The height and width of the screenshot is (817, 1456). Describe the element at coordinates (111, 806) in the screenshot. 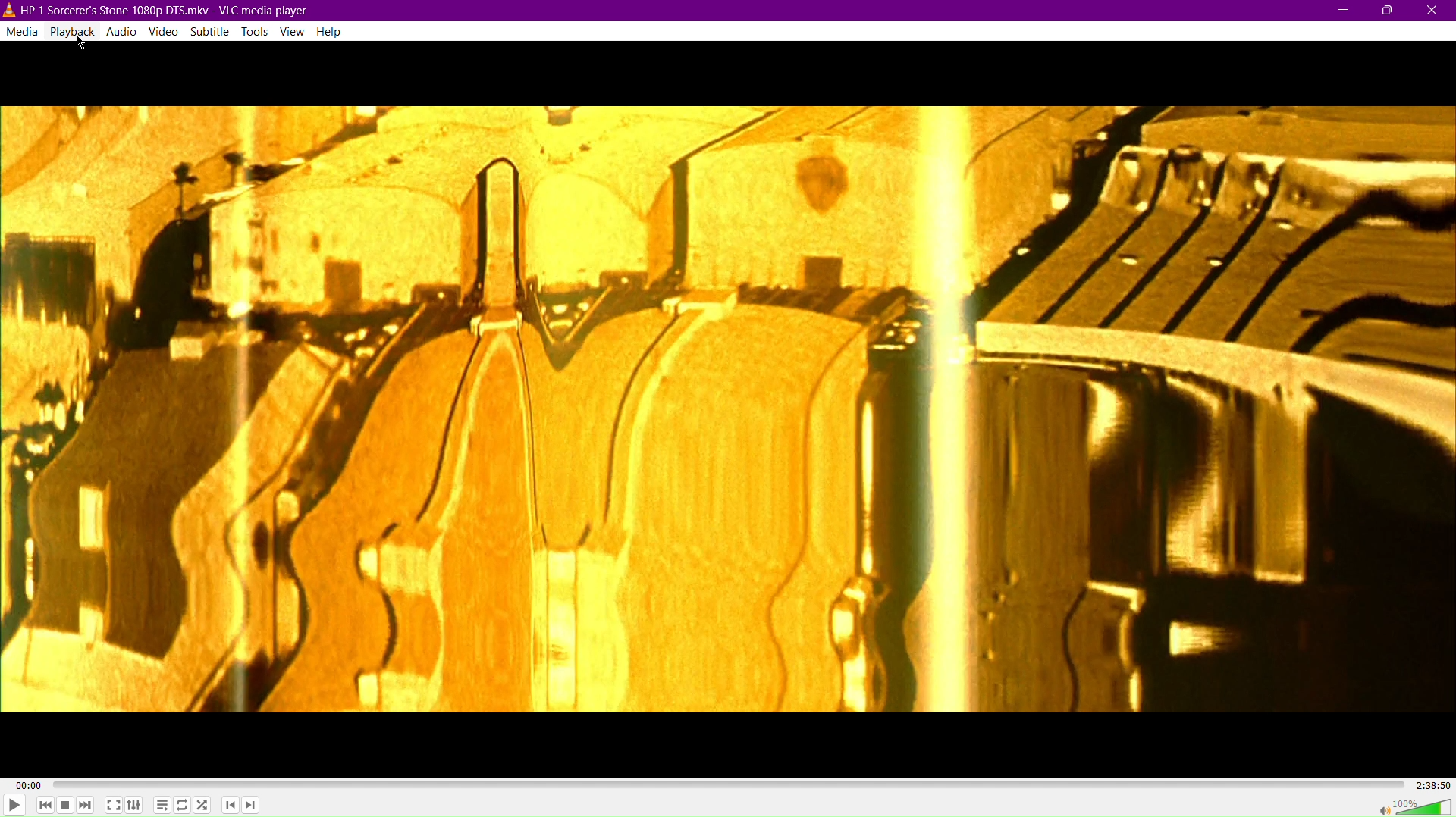

I see `Fullscreen` at that location.